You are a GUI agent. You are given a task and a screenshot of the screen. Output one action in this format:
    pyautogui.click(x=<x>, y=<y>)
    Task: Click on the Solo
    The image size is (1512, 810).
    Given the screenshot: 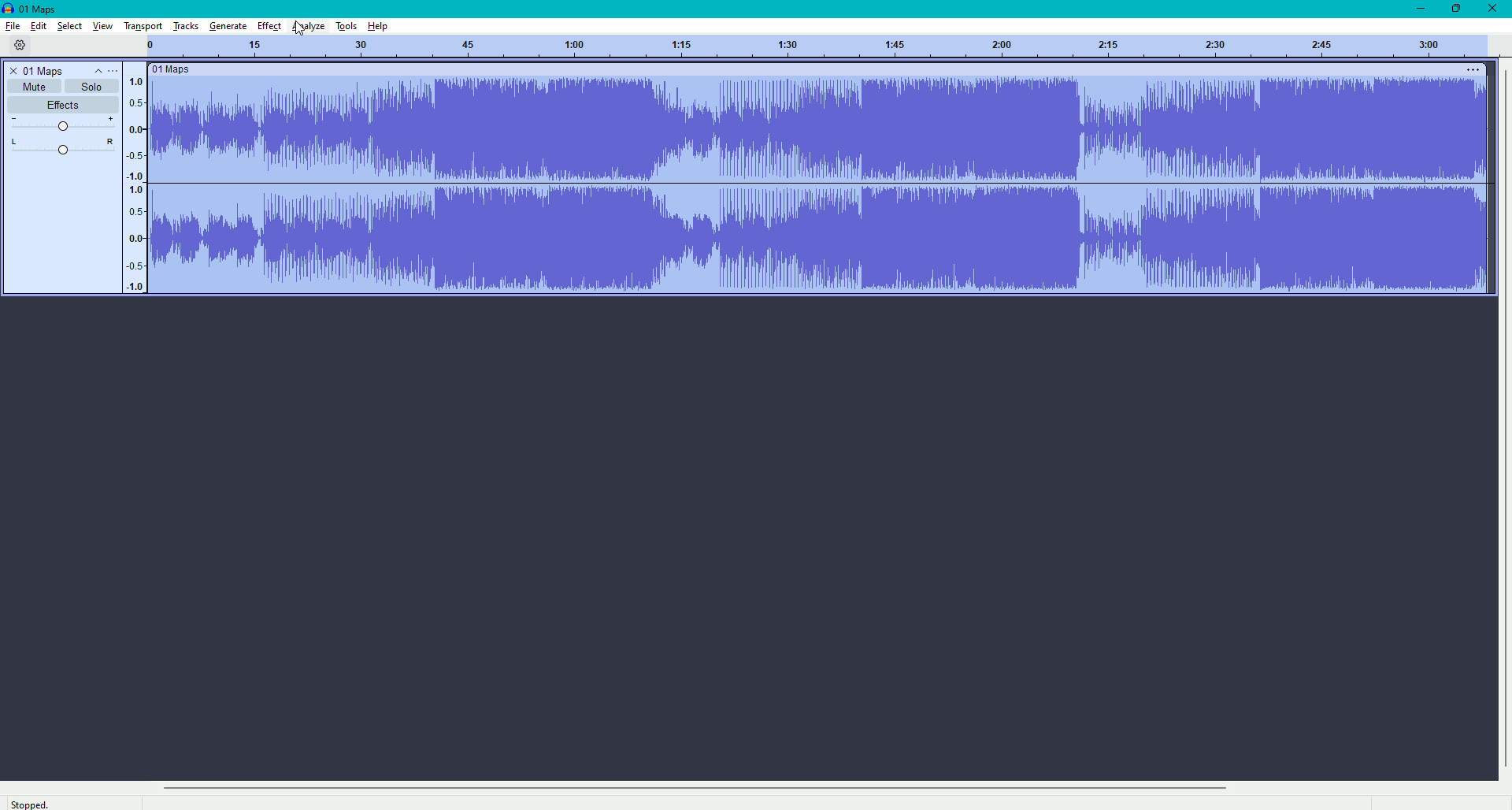 What is the action you would take?
    pyautogui.click(x=91, y=87)
    